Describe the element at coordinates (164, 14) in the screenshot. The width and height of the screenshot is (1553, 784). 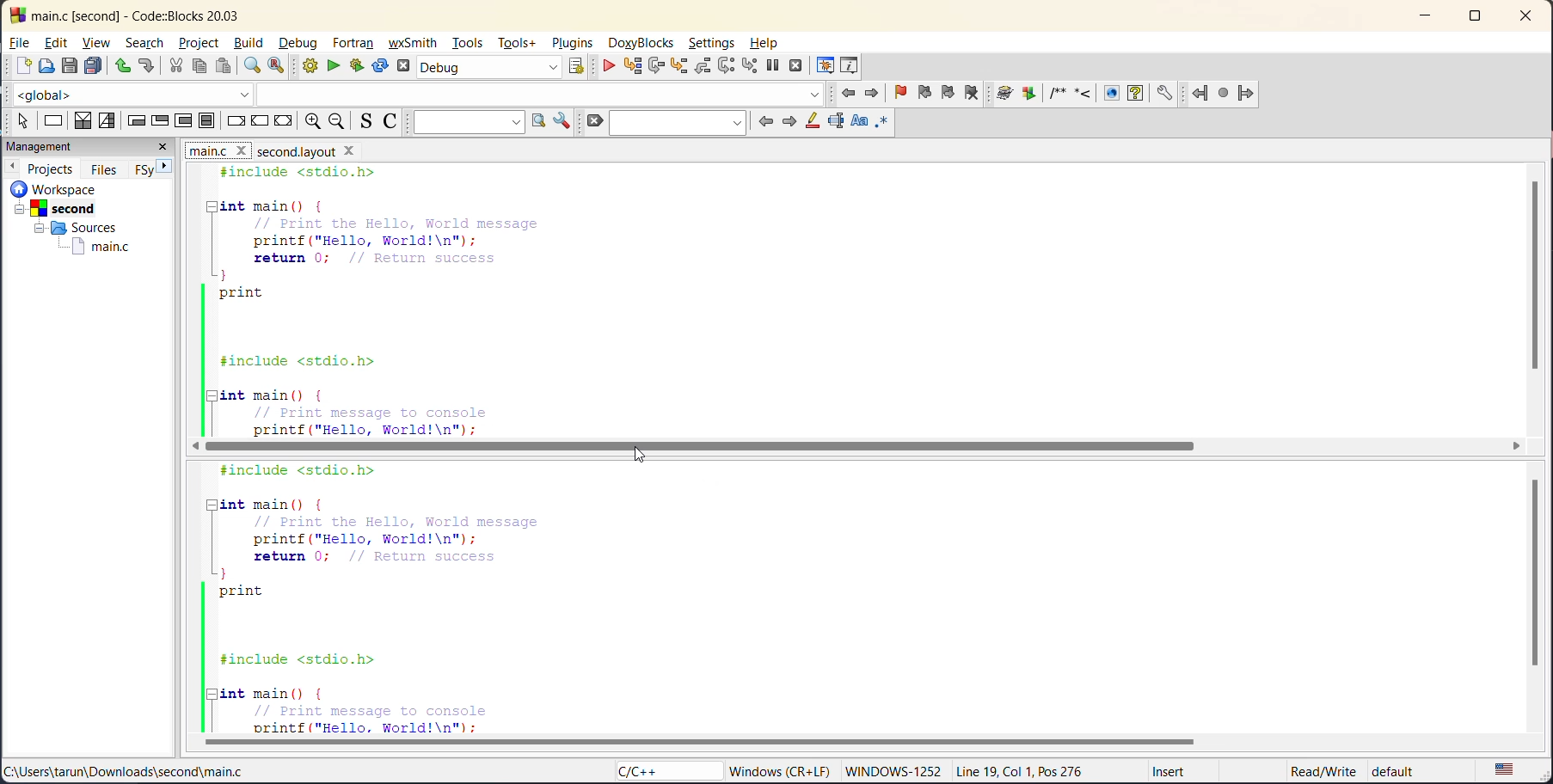
I see `app name and file name` at that location.